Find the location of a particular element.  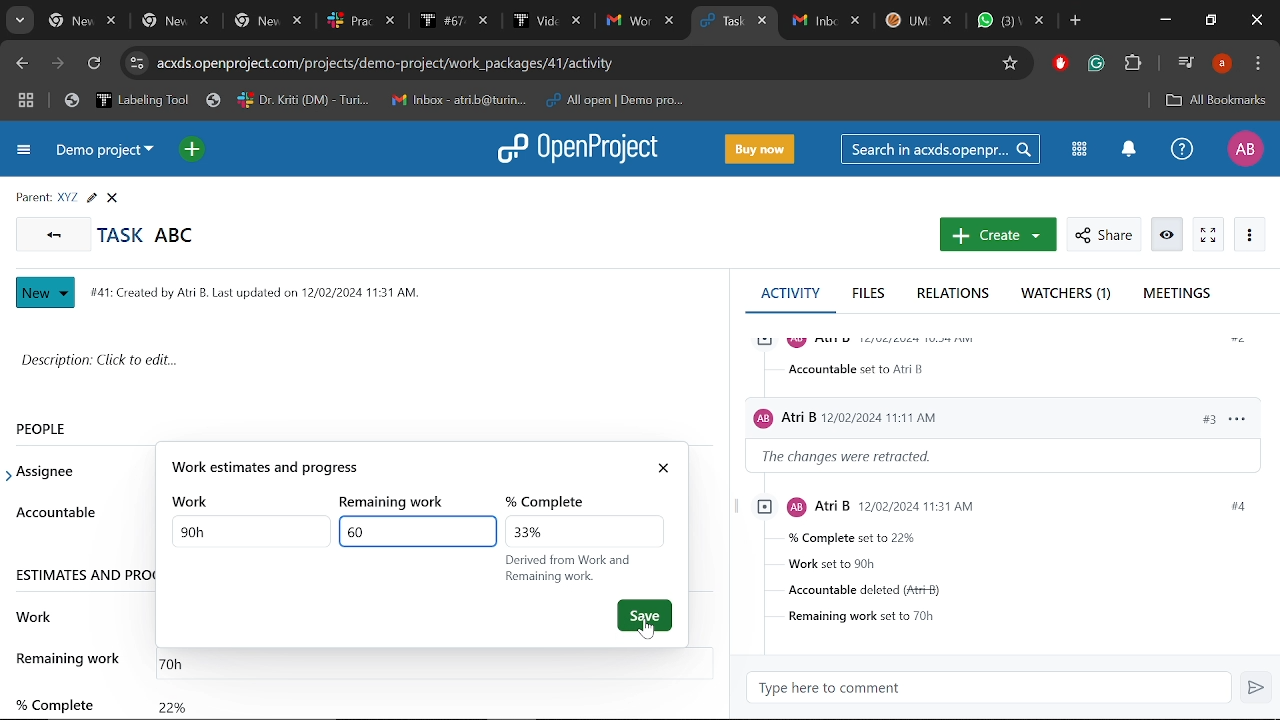

Activate zen mode is located at coordinates (1208, 235).